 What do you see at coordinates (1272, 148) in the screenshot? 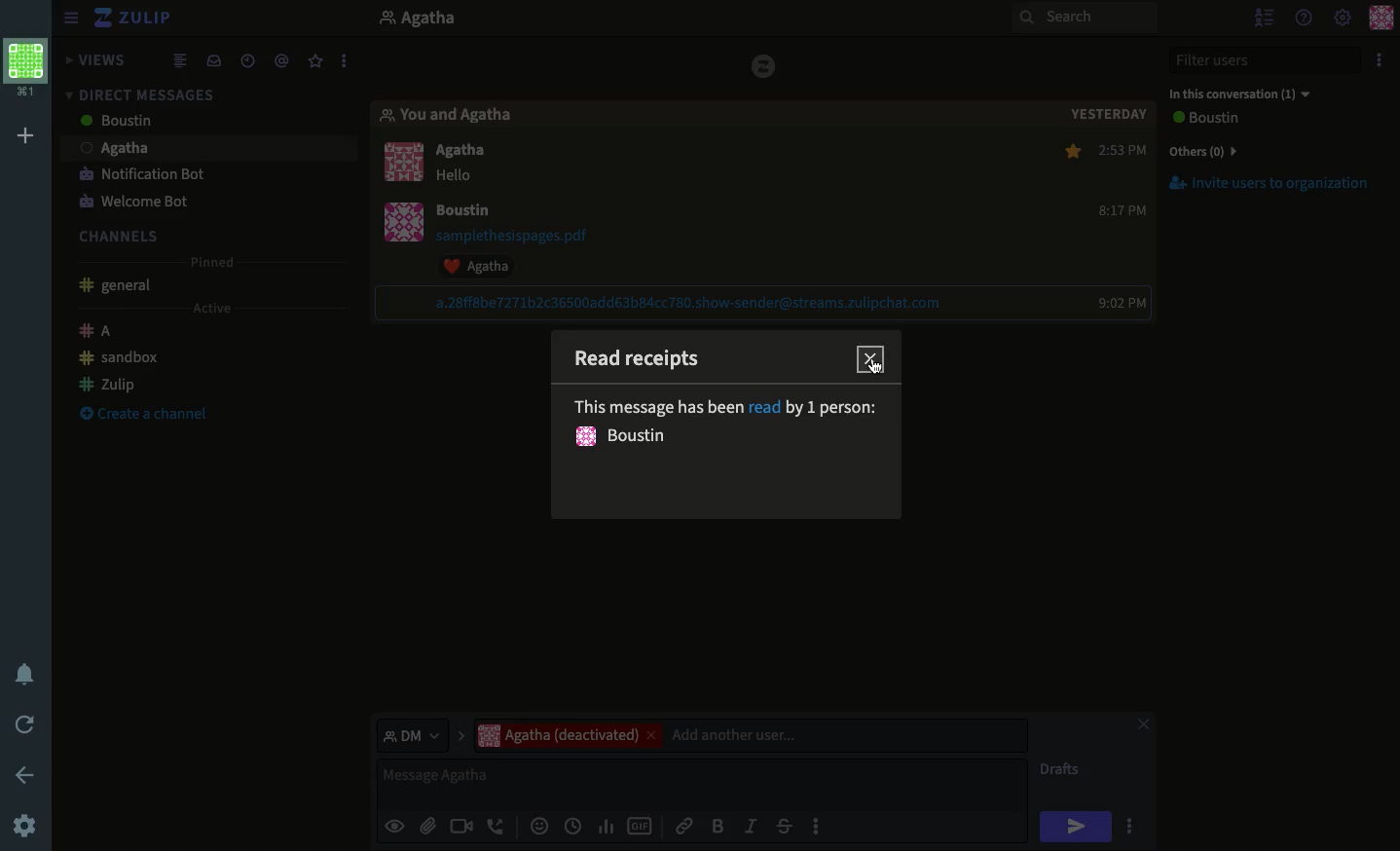
I see `Invite users to org.` at bounding box center [1272, 148].